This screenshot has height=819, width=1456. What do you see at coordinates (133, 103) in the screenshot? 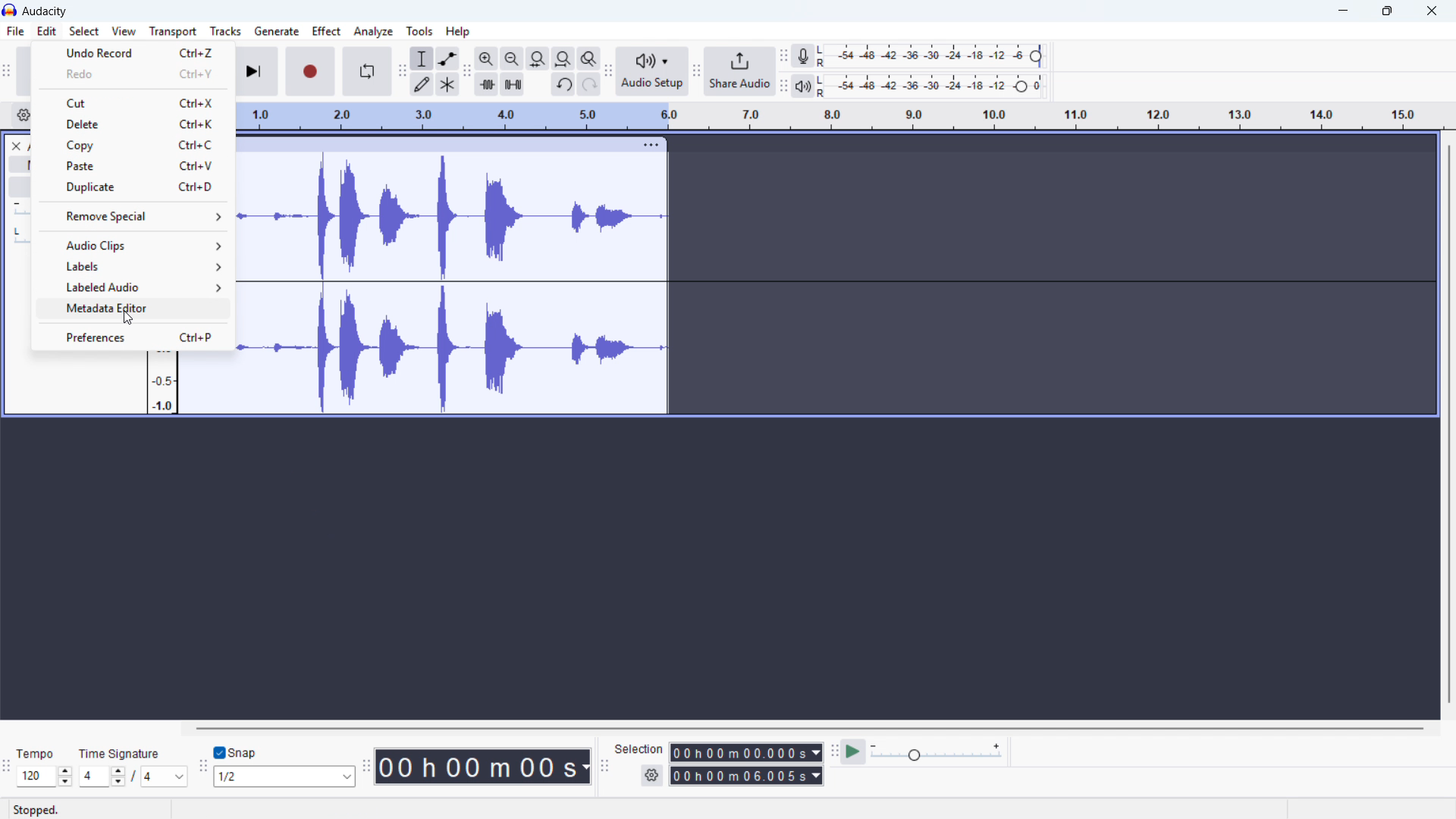
I see `cut` at bounding box center [133, 103].